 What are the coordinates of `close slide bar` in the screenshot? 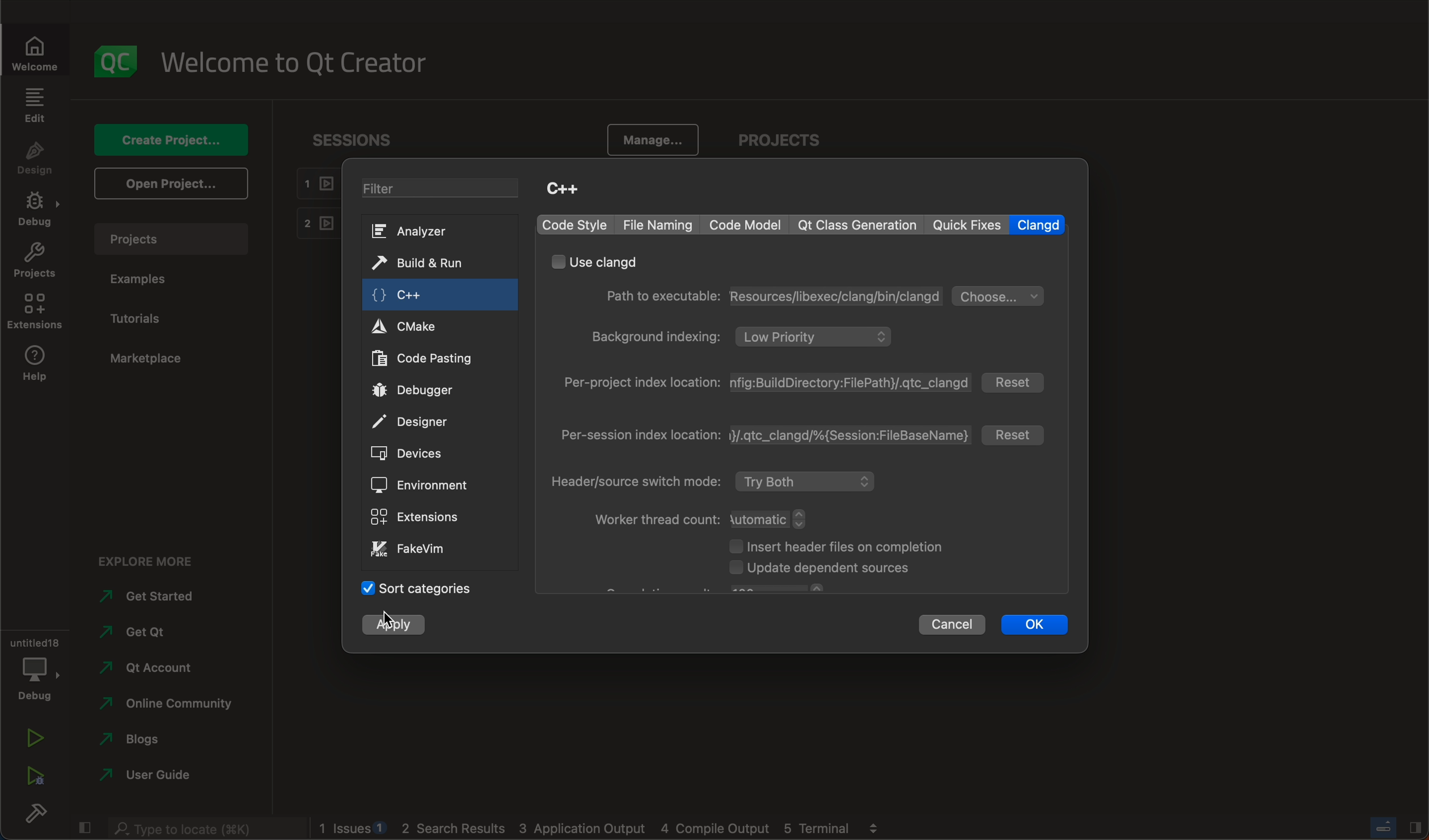 It's located at (1389, 827).